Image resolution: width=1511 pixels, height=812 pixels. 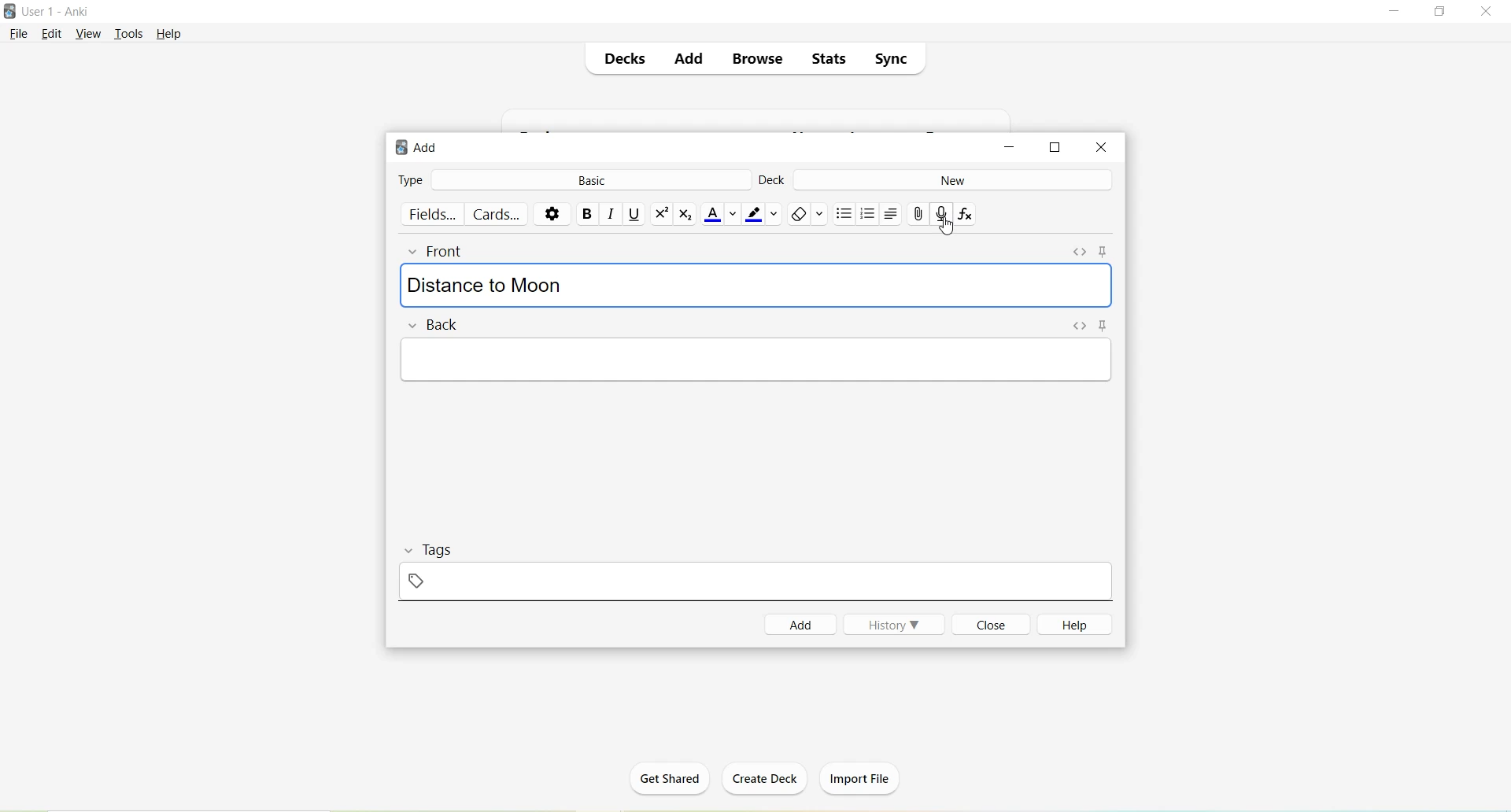 What do you see at coordinates (751, 60) in the screenshot?
I see `Browse` at bounding box center [751, 60].